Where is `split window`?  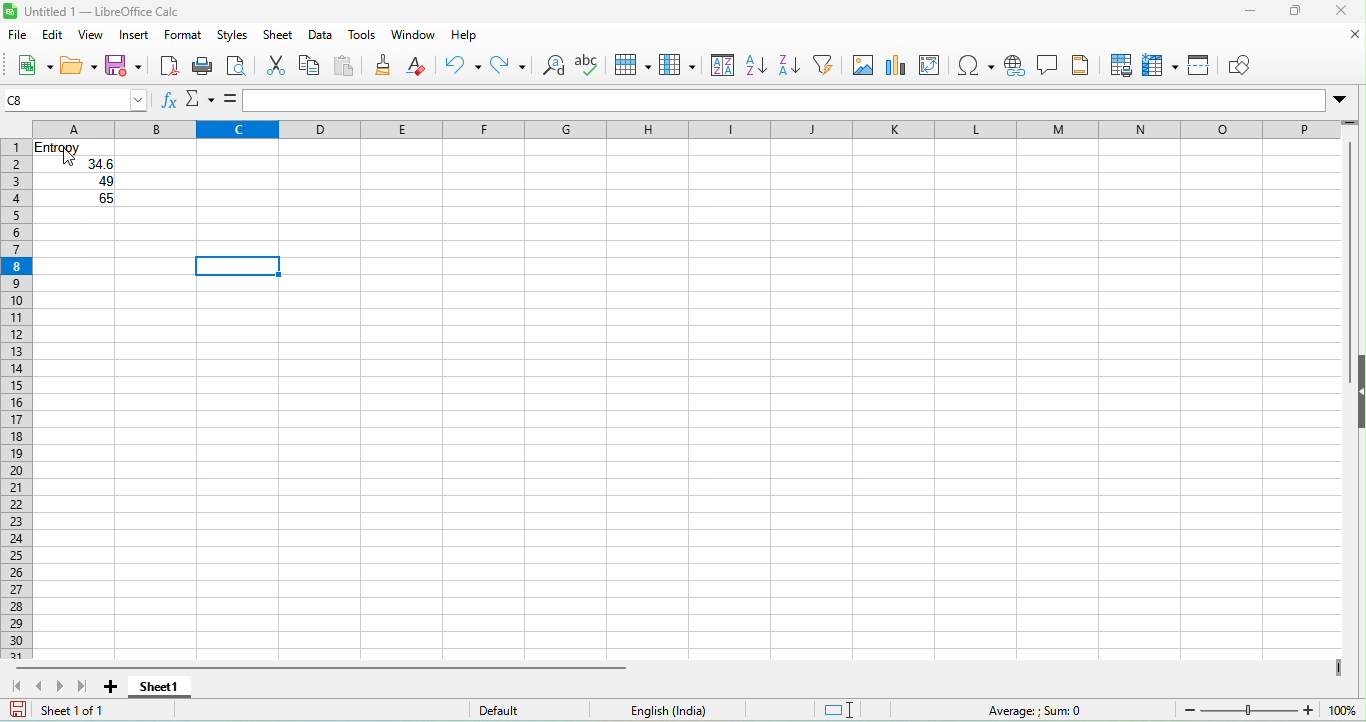 split window is located at coordinates (1202, 67).